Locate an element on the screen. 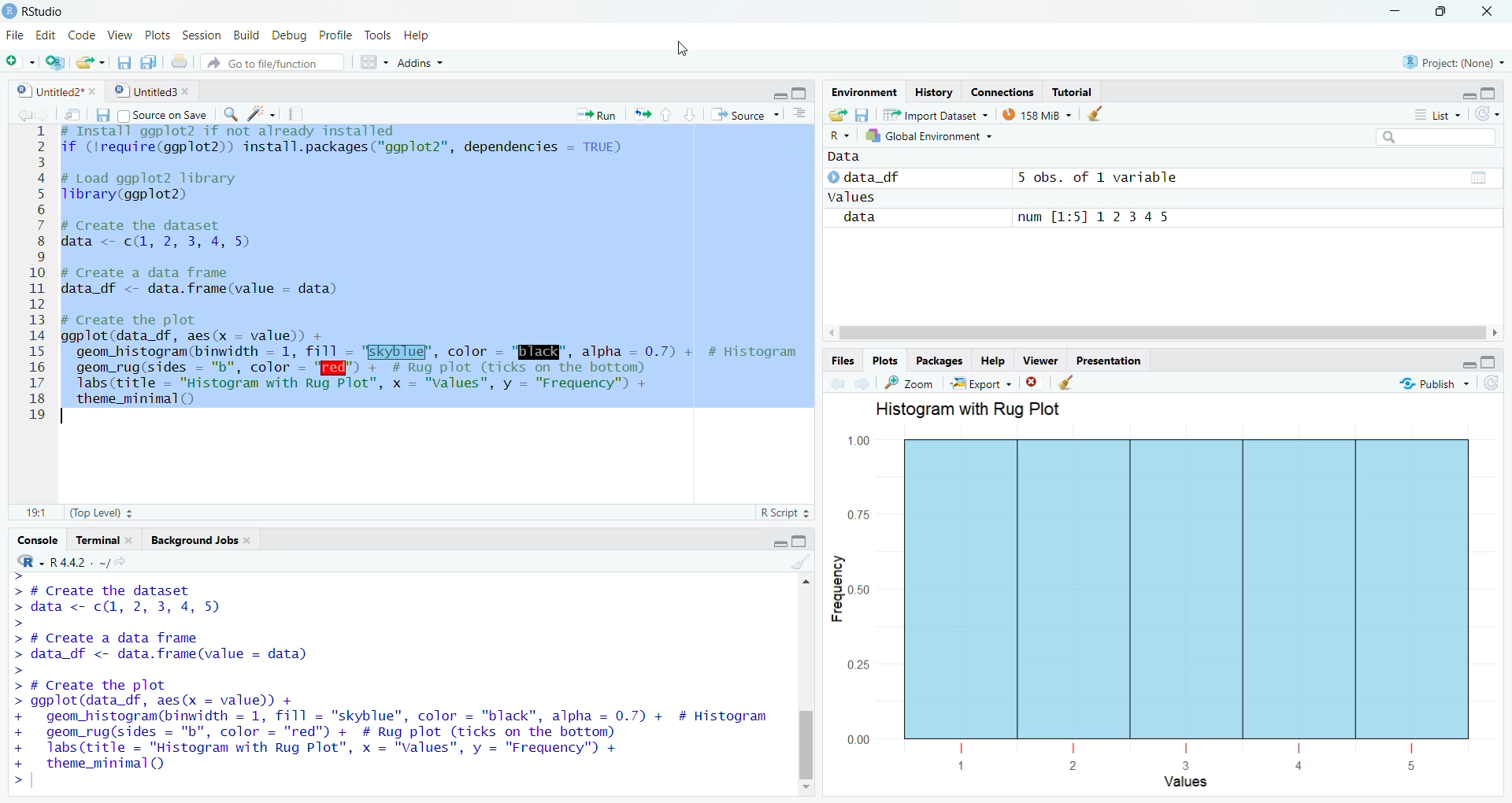 The image size is (1512, 803). maximize/minimize is located at coordinates (1472, 360).